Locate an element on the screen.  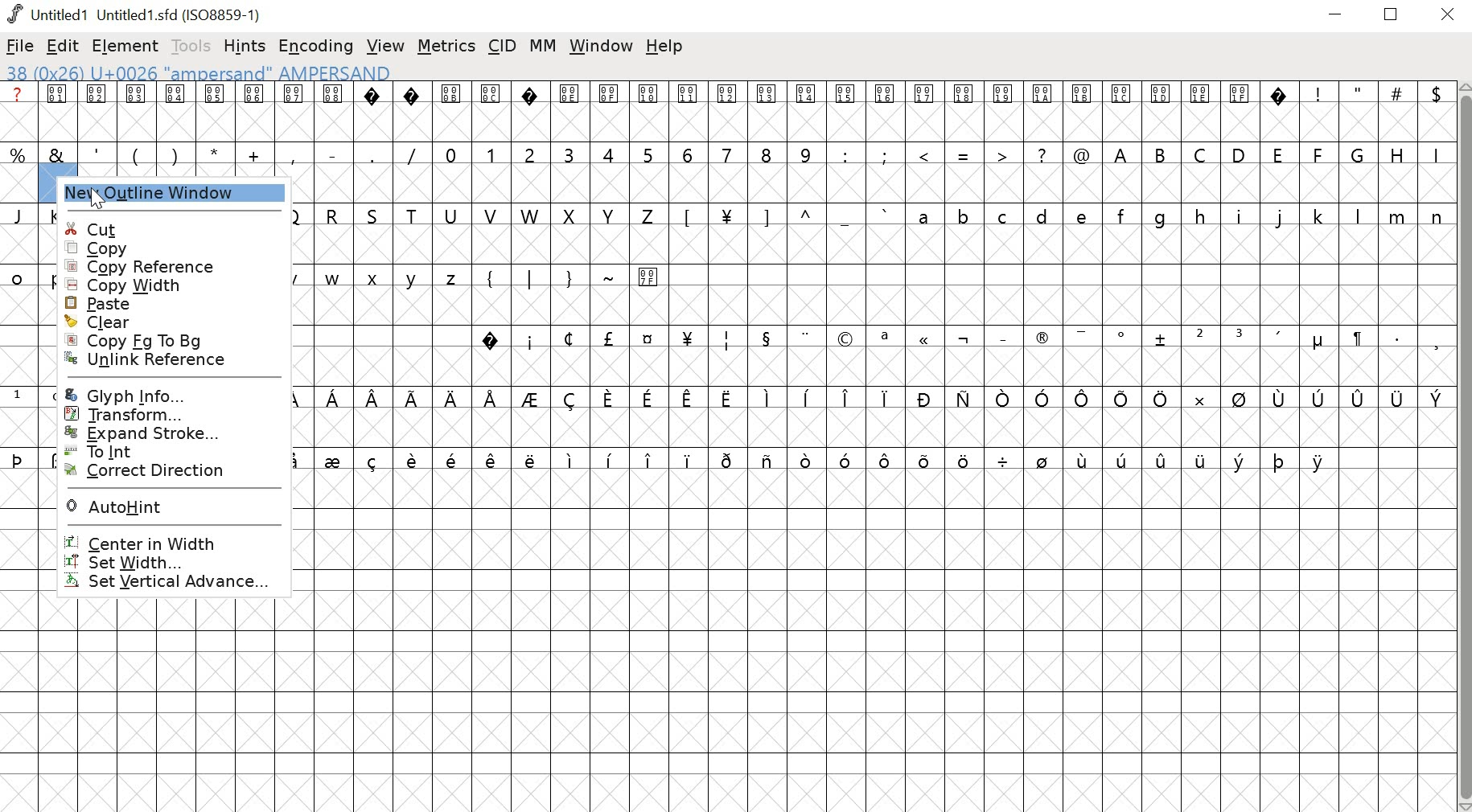
symbol is located at coordinates (764, 396).